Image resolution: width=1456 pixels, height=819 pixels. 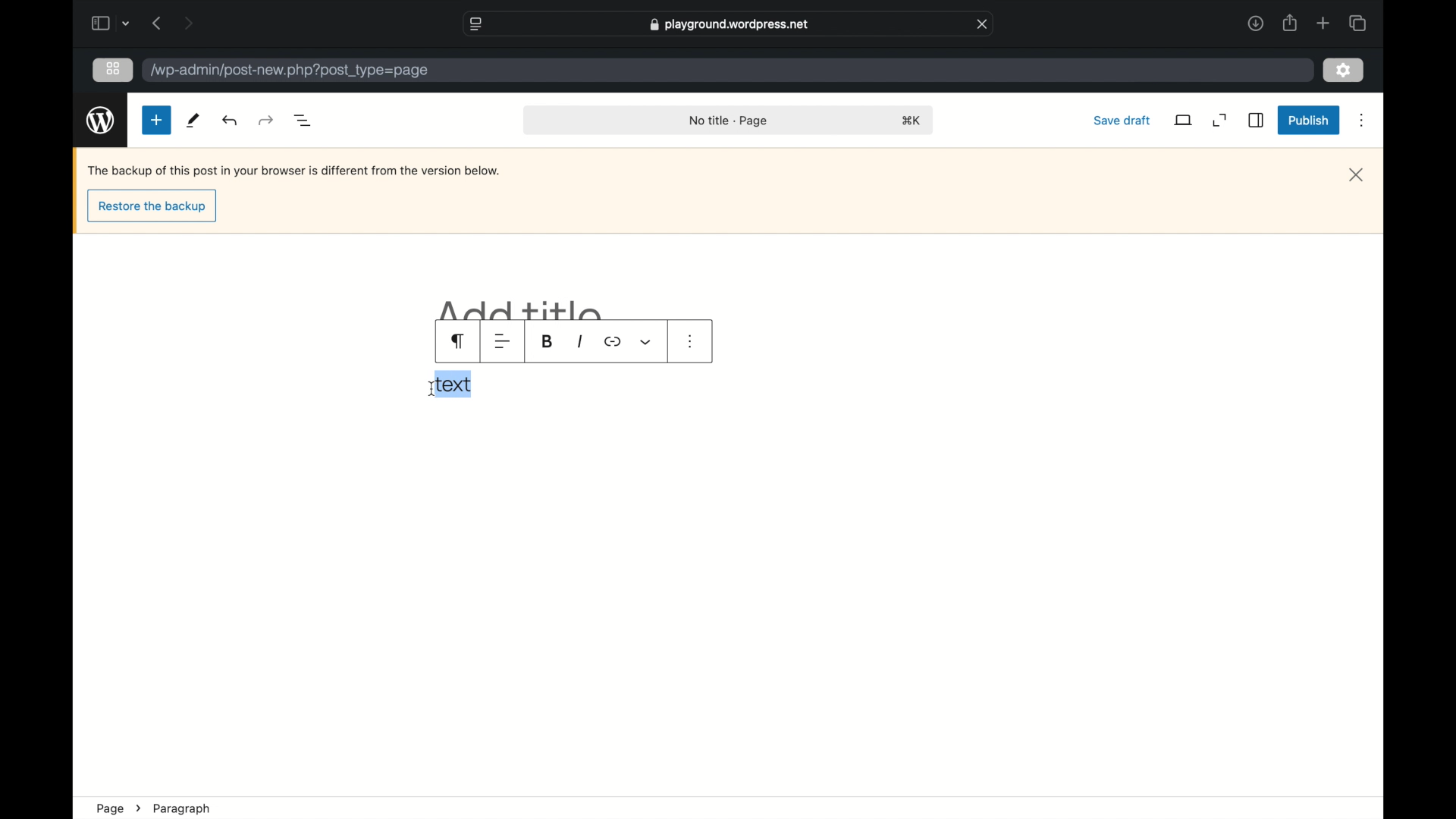 I want to click on add title, so click(x=522, y=309).